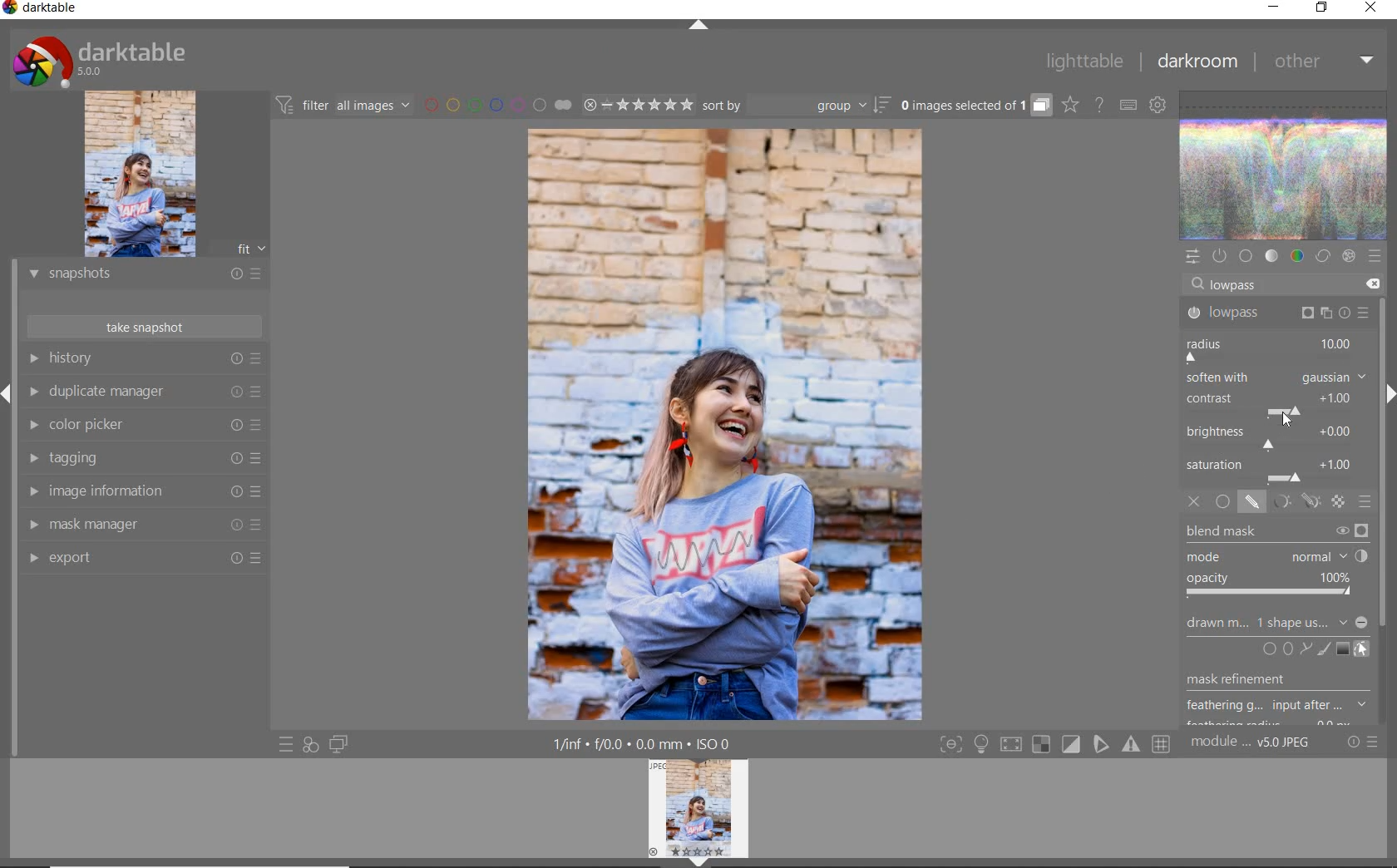 Image resolution: width=1397 pixels, height=868 pixels. I want to click on system logo, so click(99, 60).